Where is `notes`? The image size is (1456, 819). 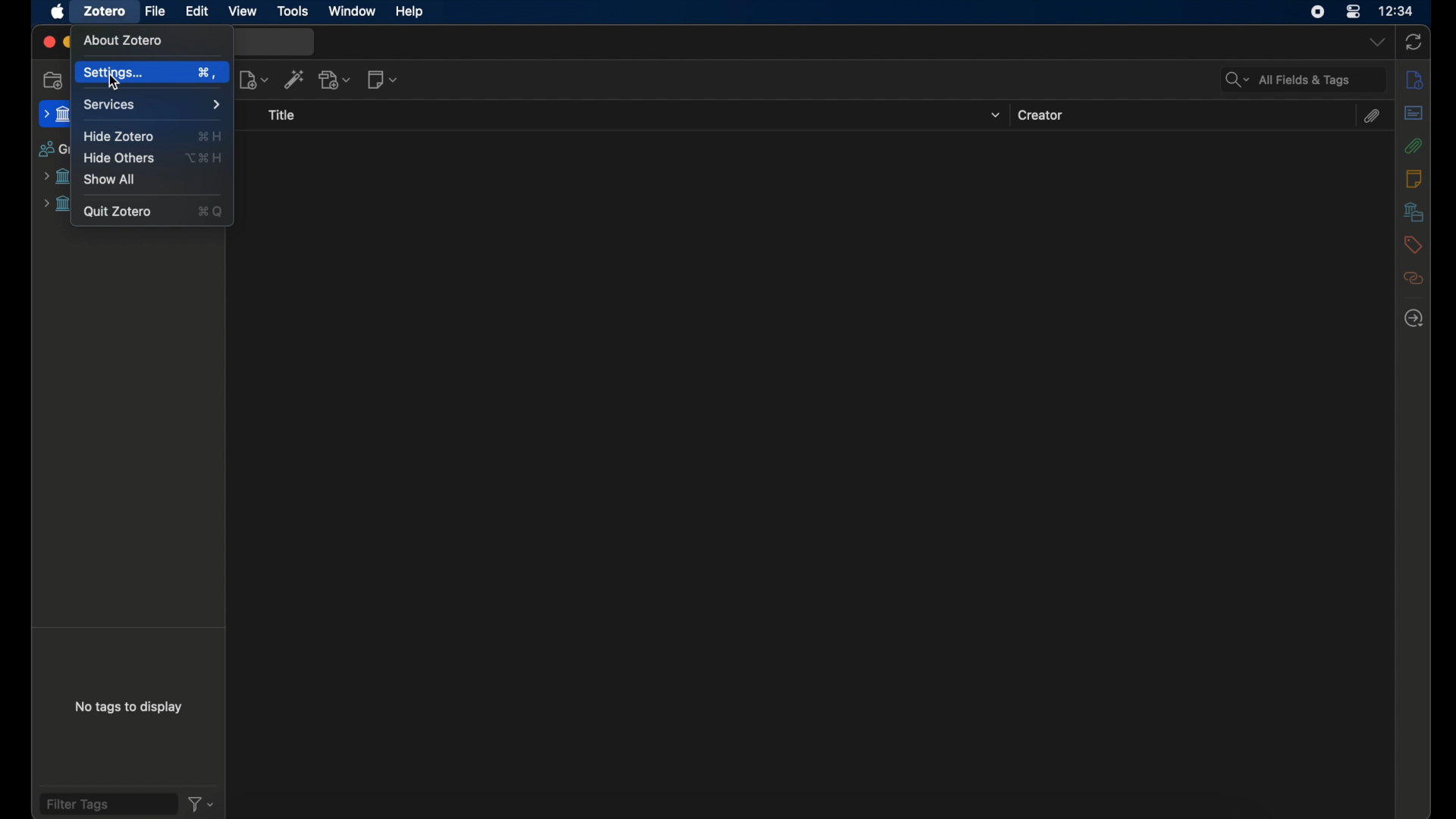
notes is located at coordinates (1415, 179).